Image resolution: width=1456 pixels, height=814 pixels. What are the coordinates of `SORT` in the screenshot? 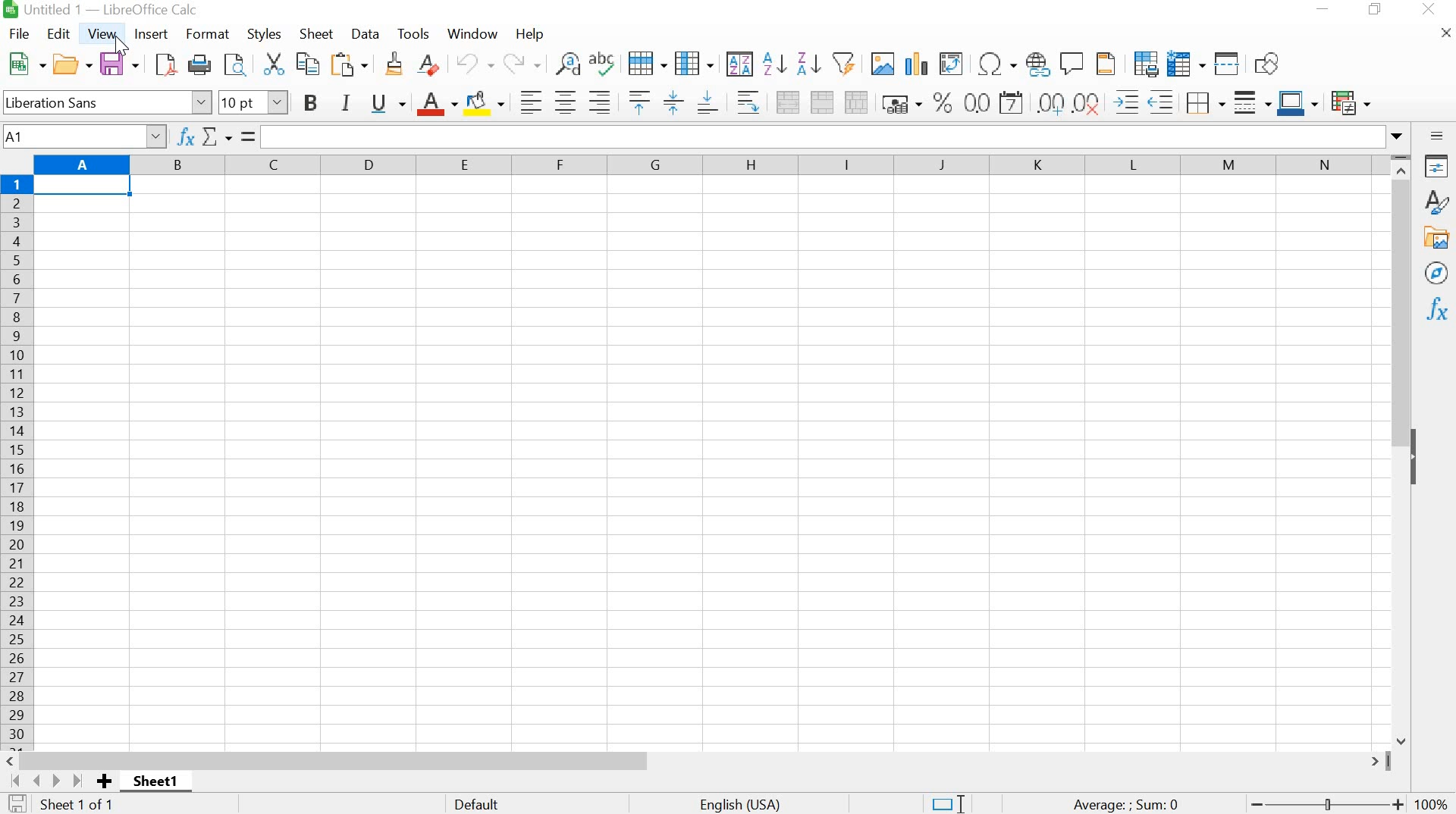 It's located at (739, 64).